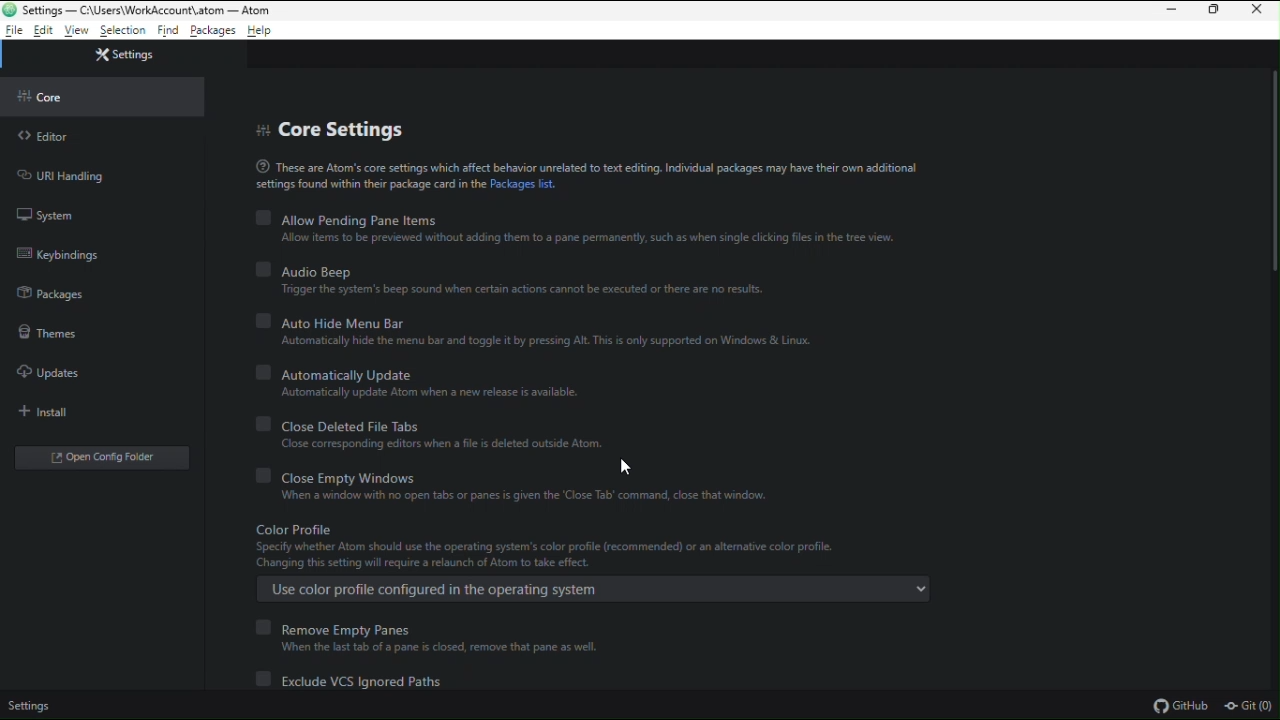 The width and height of the screenshot is (1280, 720). What do you see at coordinates (474, 431) in the screenshot?
I see `Close deleted file tabs` at bounding box center [474, 431].